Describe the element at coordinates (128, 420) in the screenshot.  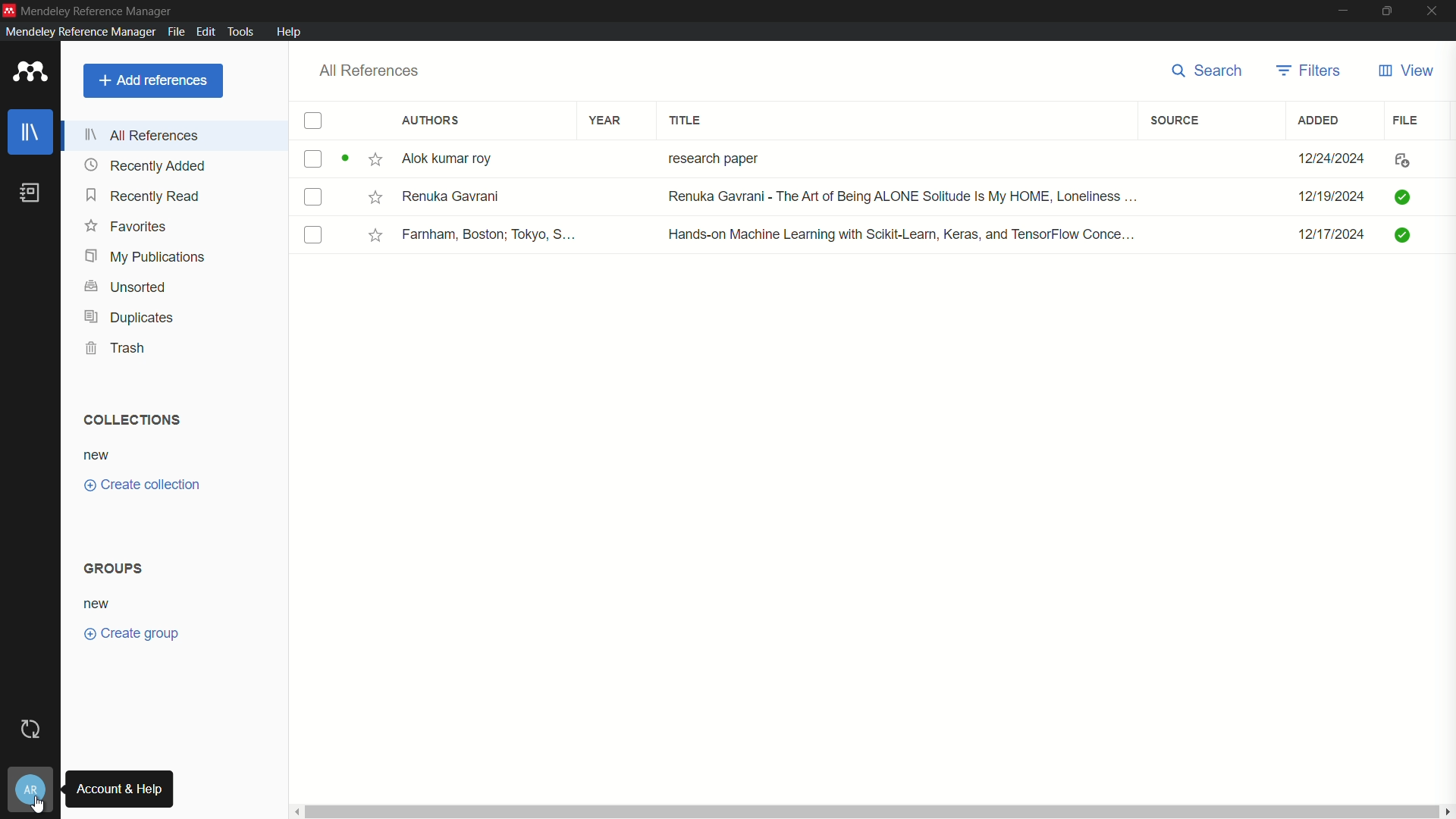
I see `collections` at that location.